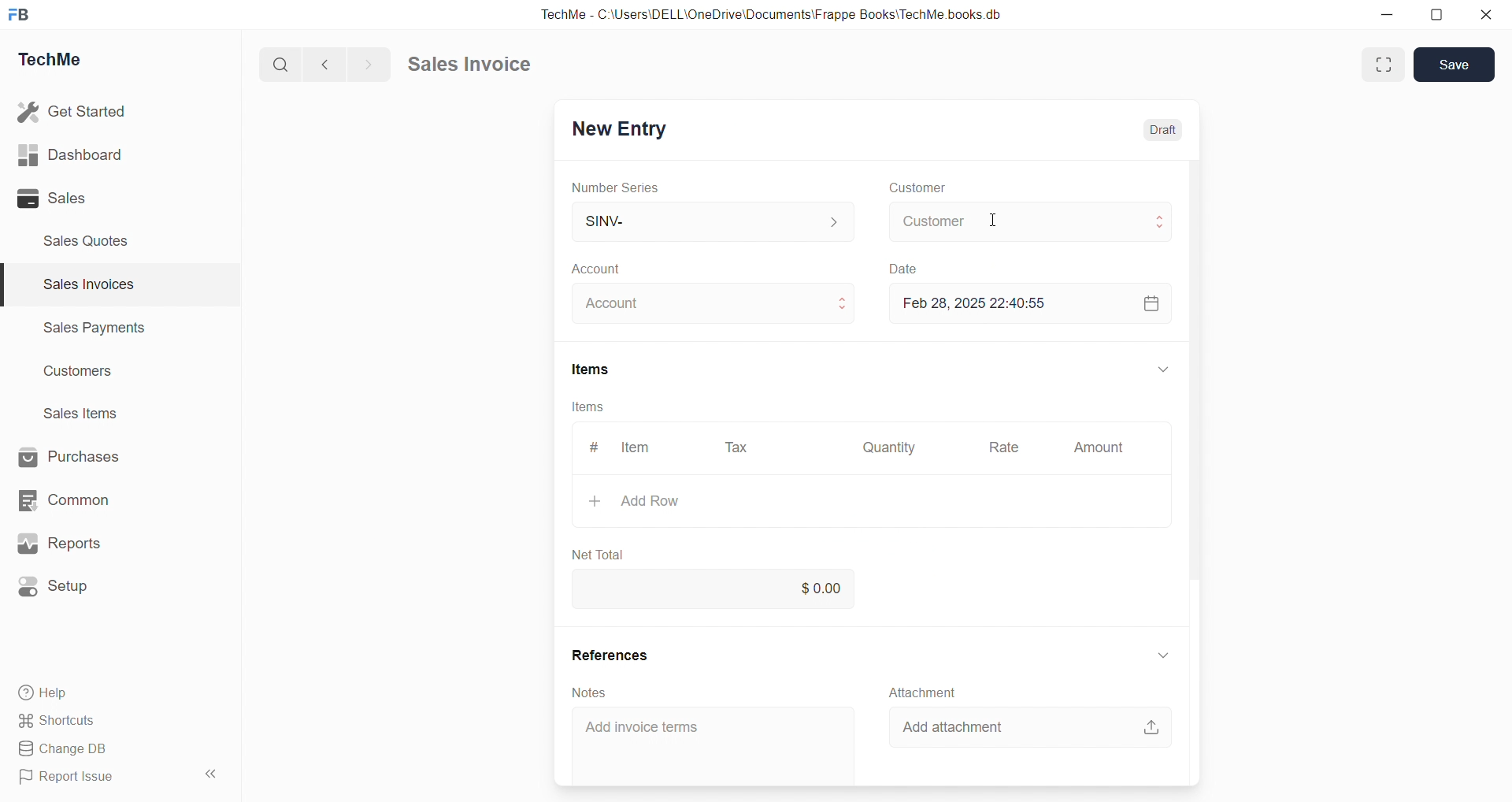 The image size is (1512, 802). Describe the element at coordinates (1006, 447) in the screenshot. I see `Rate` at that location.